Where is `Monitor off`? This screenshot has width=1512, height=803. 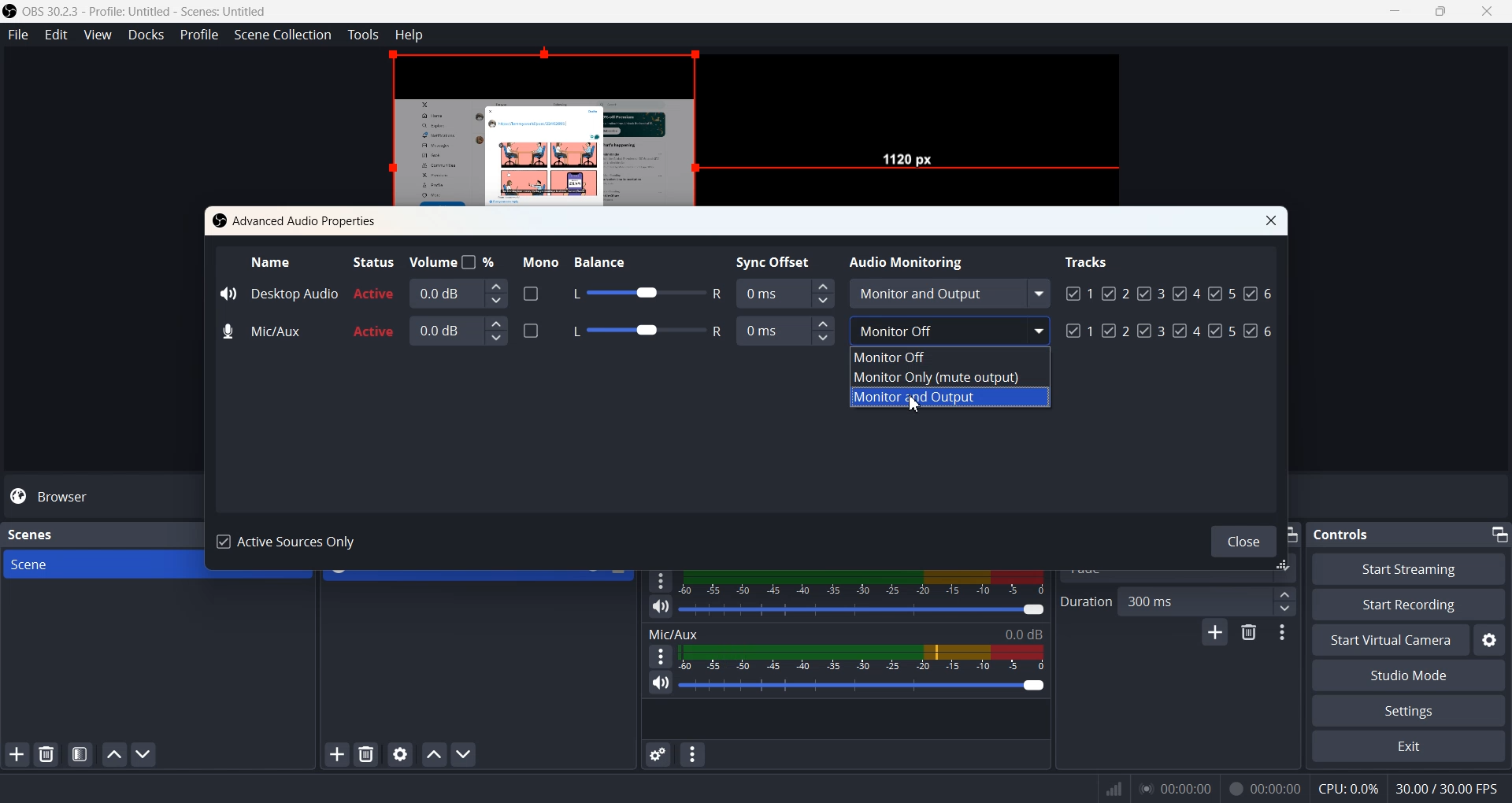
Monitor off is located at coordinates (949, 328).